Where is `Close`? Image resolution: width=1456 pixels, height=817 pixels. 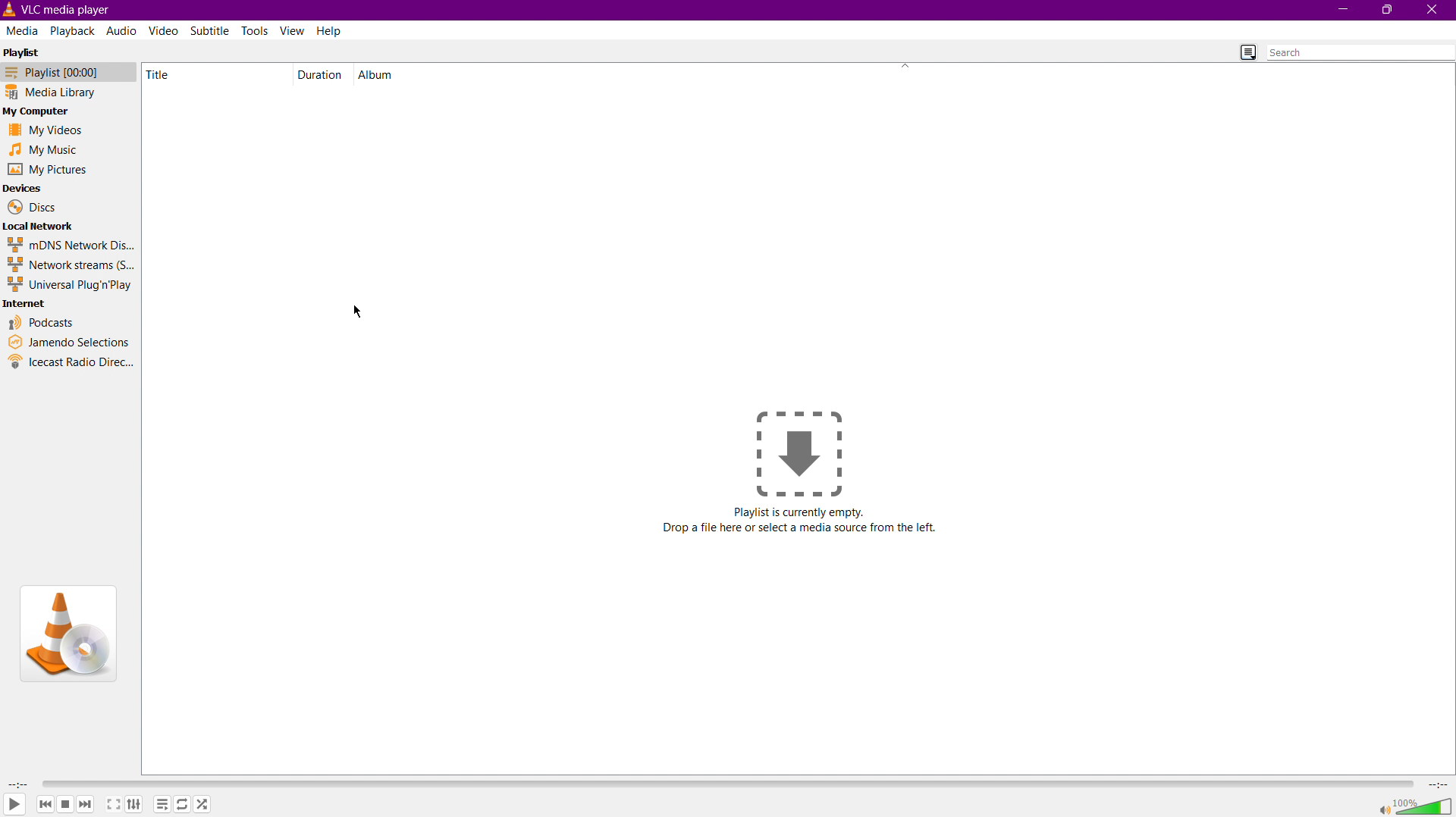 Close is located at coordinates (1434, 11).